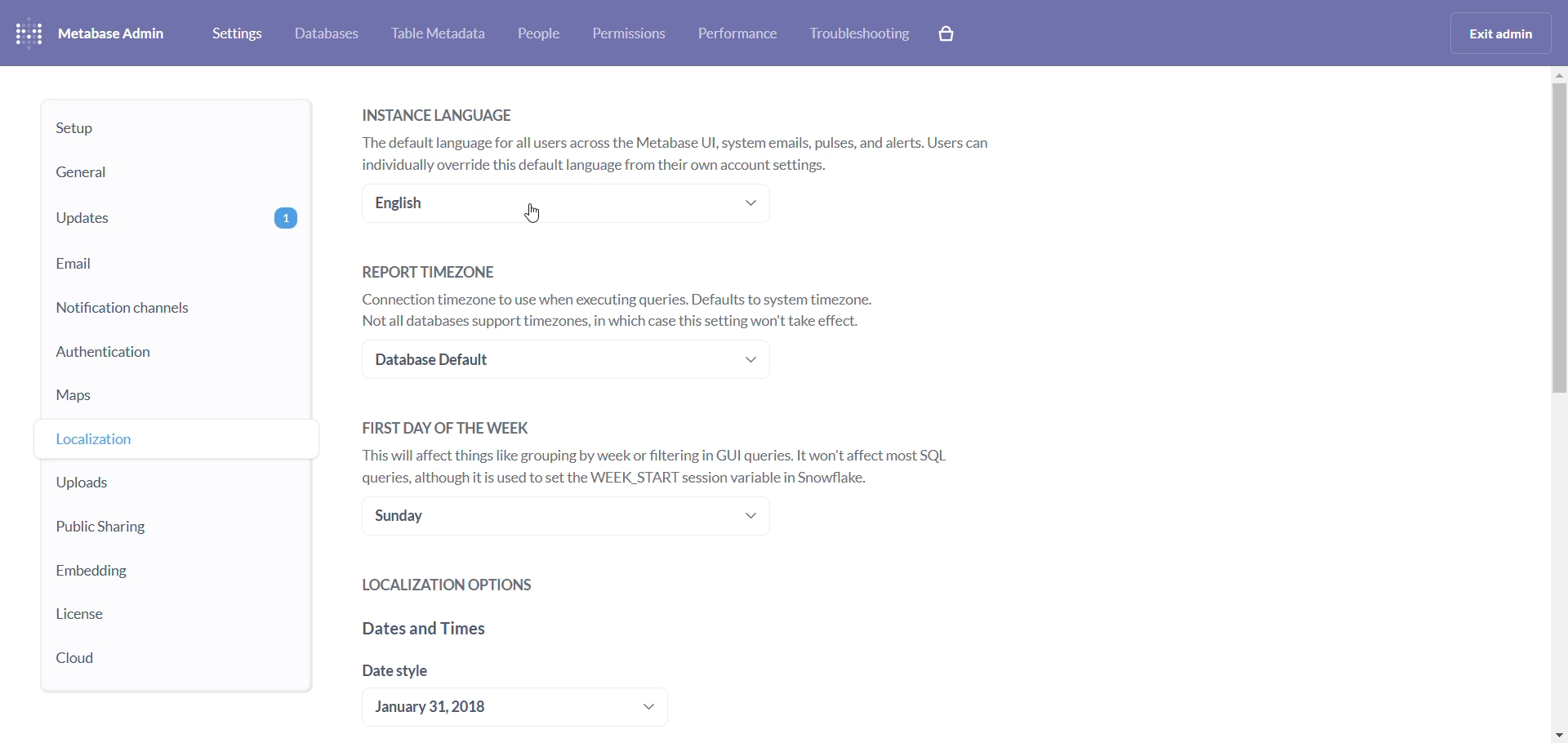 The width and height of the screenshot is (1568, 743). What do you see at coordinates (241, 32) in the screenshot?
I see `settings` at bounding box center [241, 32].